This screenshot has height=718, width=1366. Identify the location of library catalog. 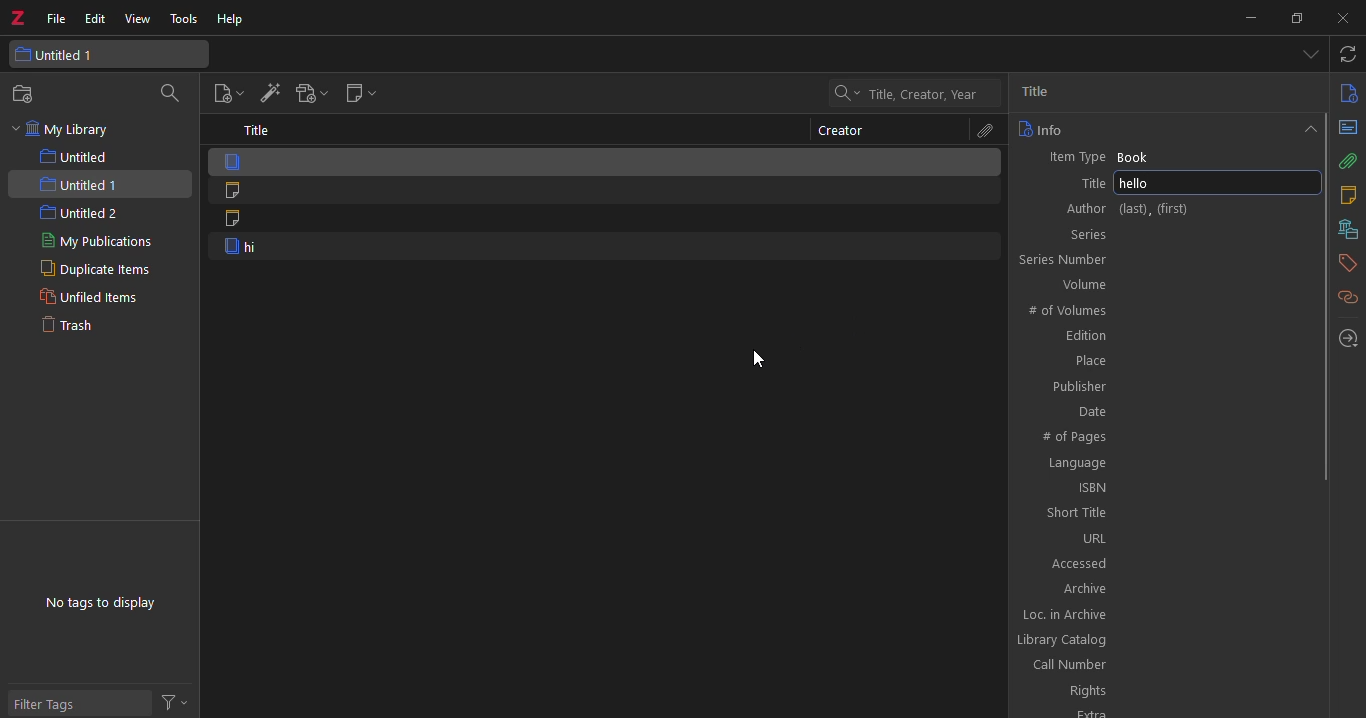
(1156, 641).